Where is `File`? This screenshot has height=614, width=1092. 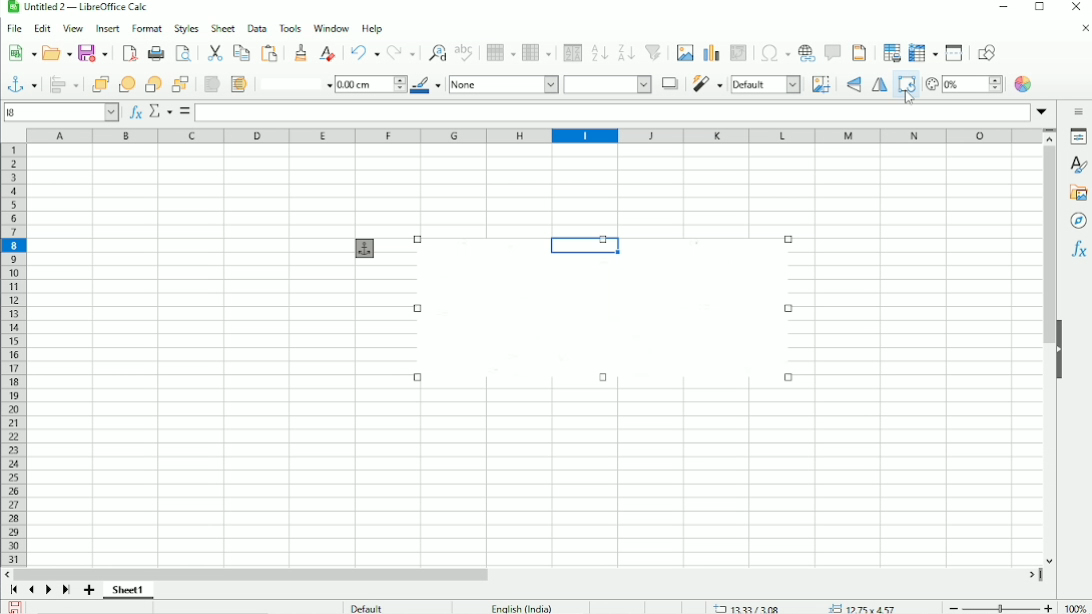 File is located at coordinates (16, 28).